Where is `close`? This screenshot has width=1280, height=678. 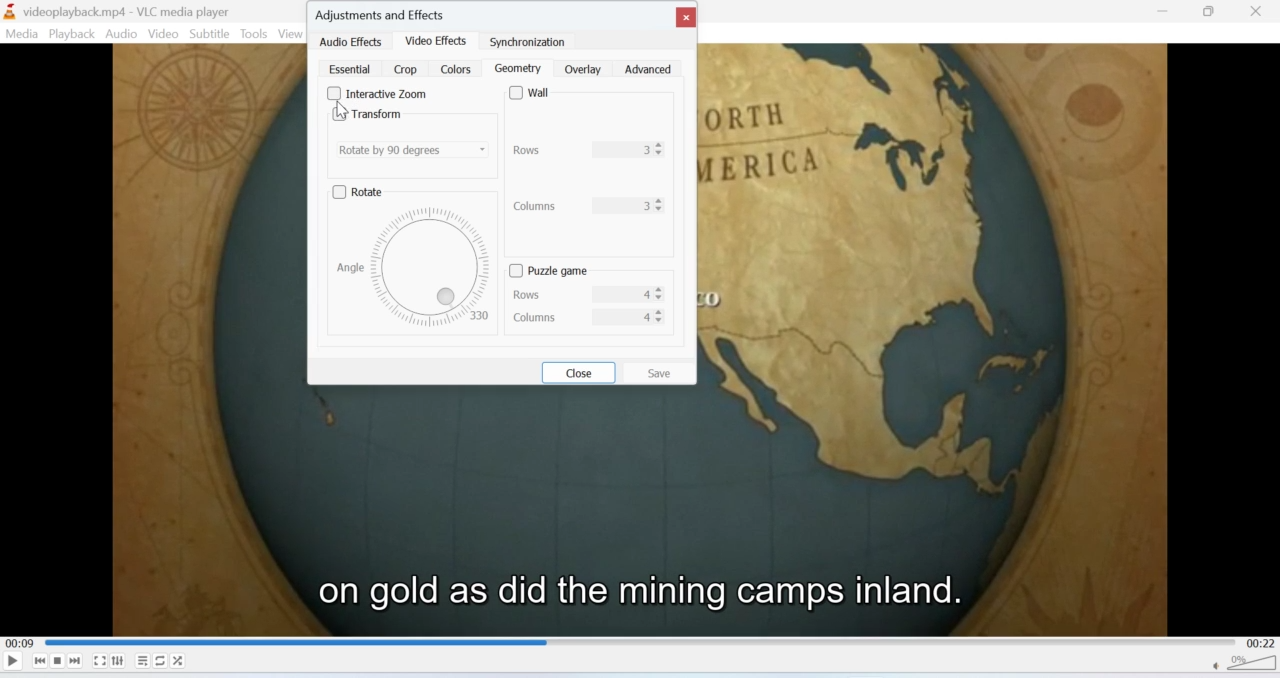 close is located at coordinates (686, 15).